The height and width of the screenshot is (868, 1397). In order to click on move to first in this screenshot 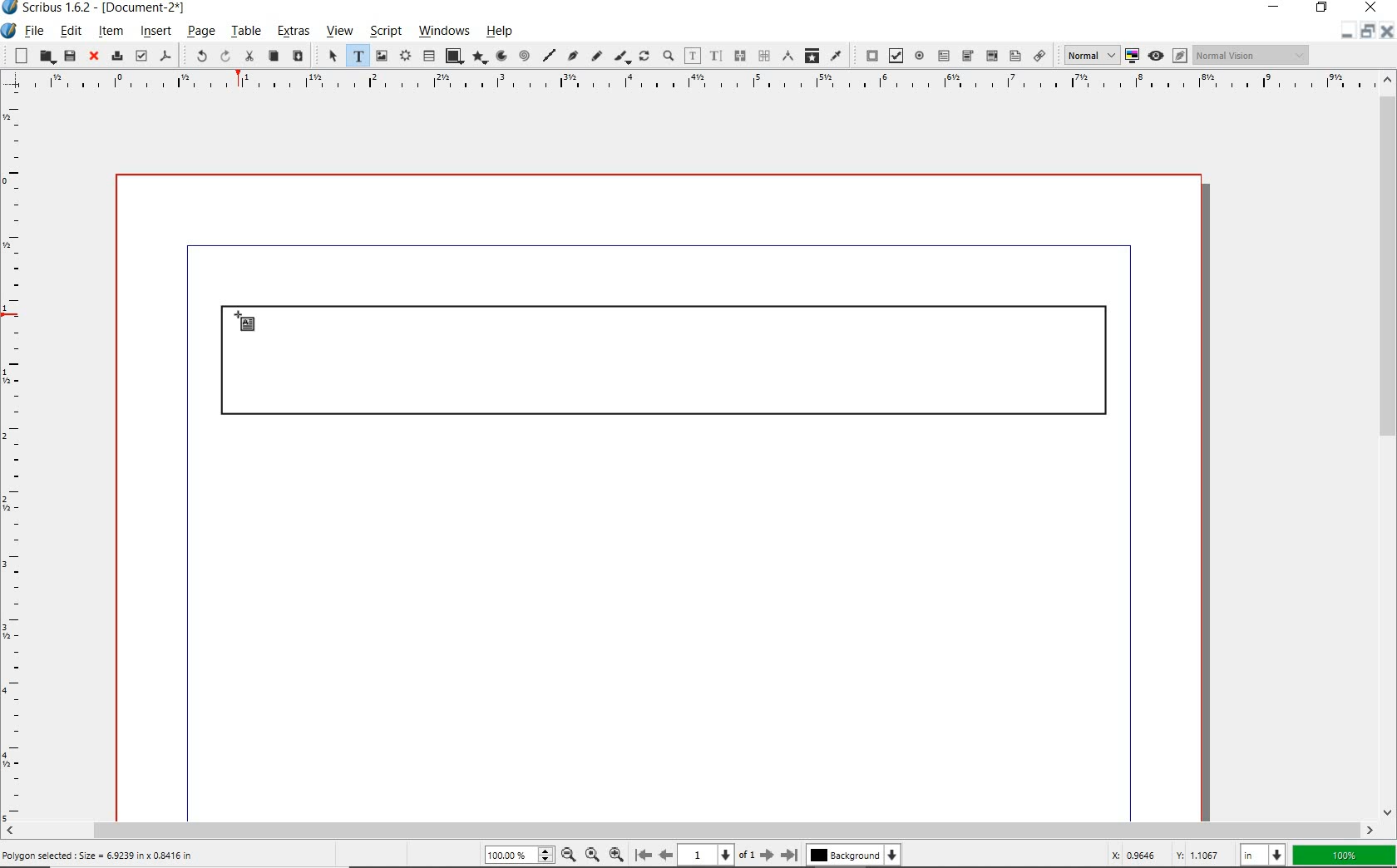, I will do `click(642, 854)`.